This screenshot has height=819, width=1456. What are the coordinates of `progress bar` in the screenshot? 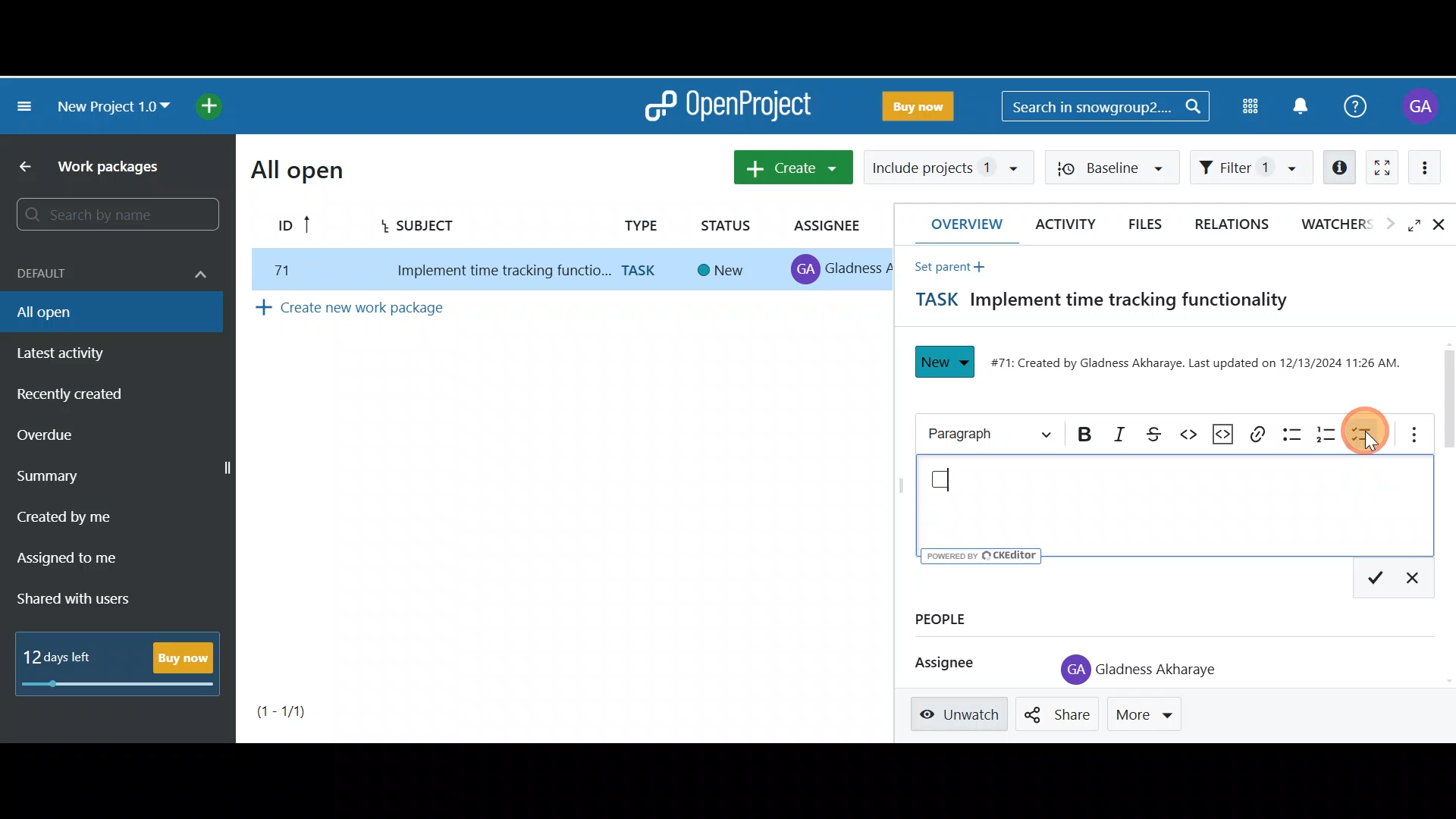 It's located at (120, 686).